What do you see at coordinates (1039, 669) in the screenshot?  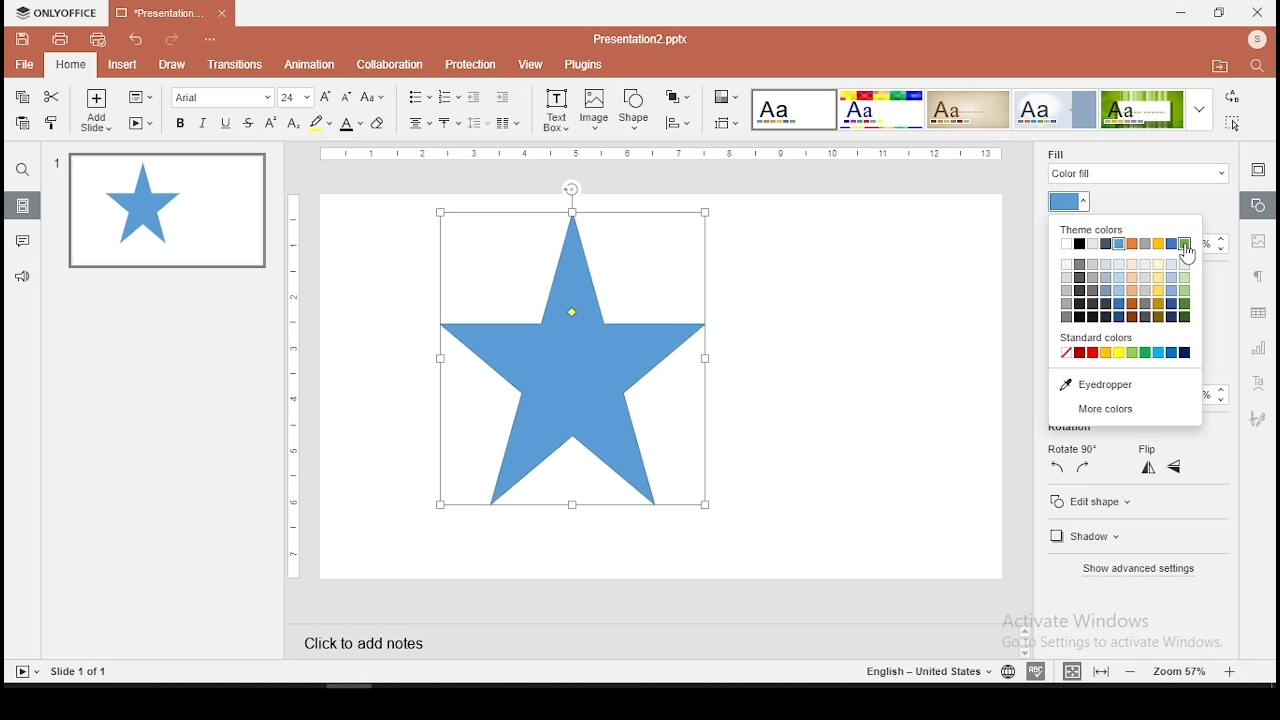 I see `spell check` at bounding box center [1039, 669].